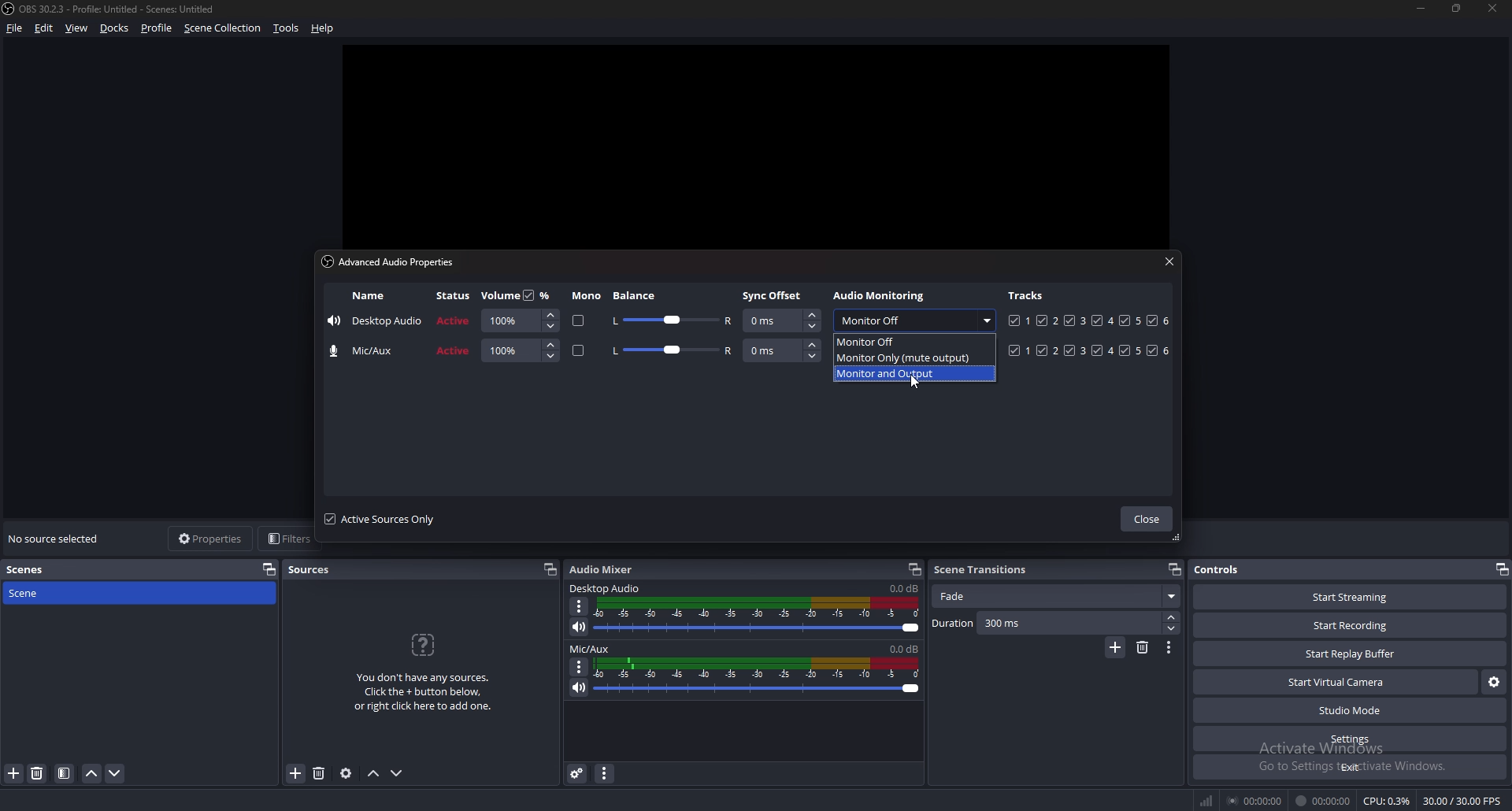  I want to click on balance adjust, so click(673, 351).